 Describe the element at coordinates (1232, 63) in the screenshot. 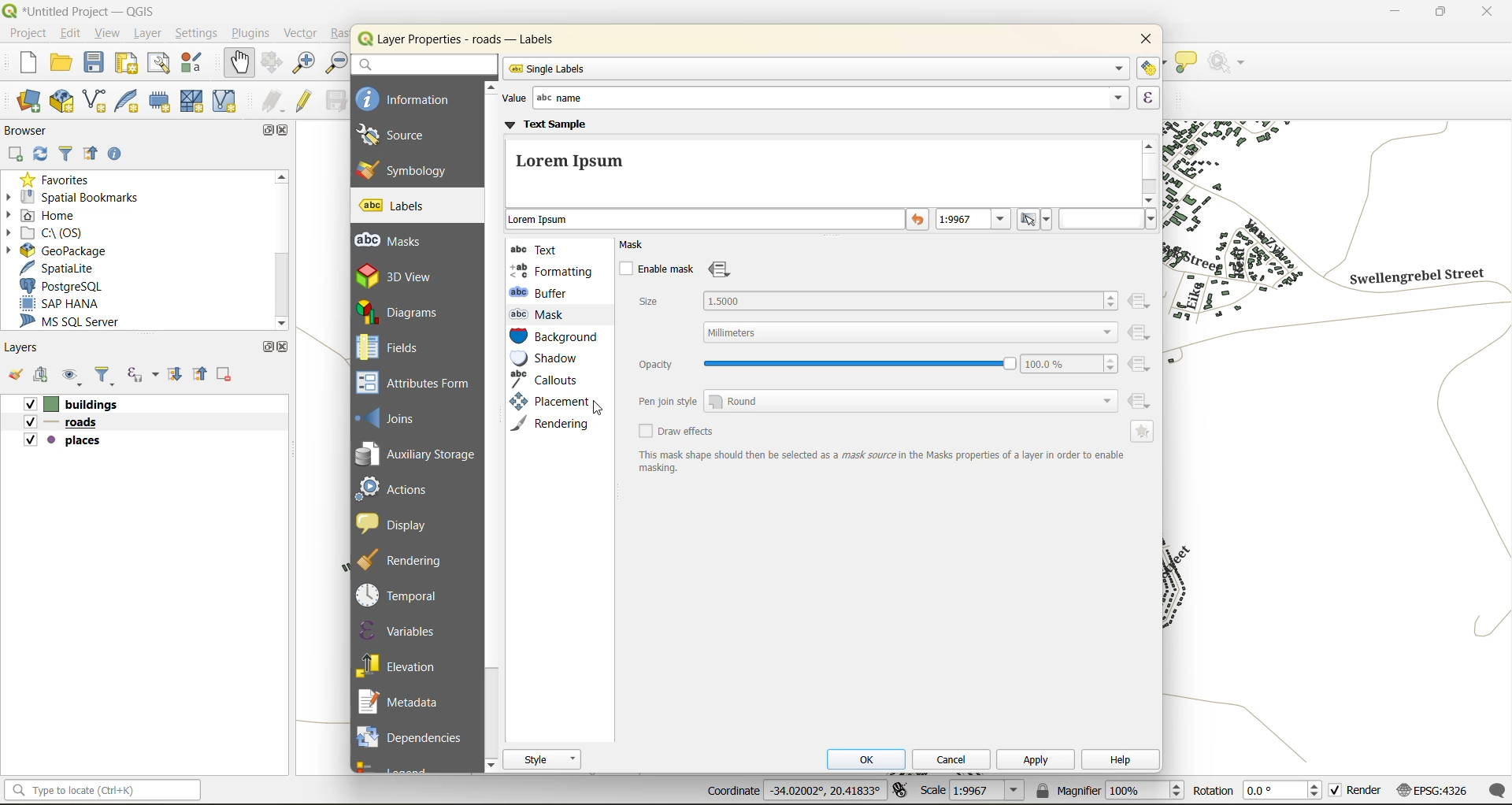

I see `no action` at that location.